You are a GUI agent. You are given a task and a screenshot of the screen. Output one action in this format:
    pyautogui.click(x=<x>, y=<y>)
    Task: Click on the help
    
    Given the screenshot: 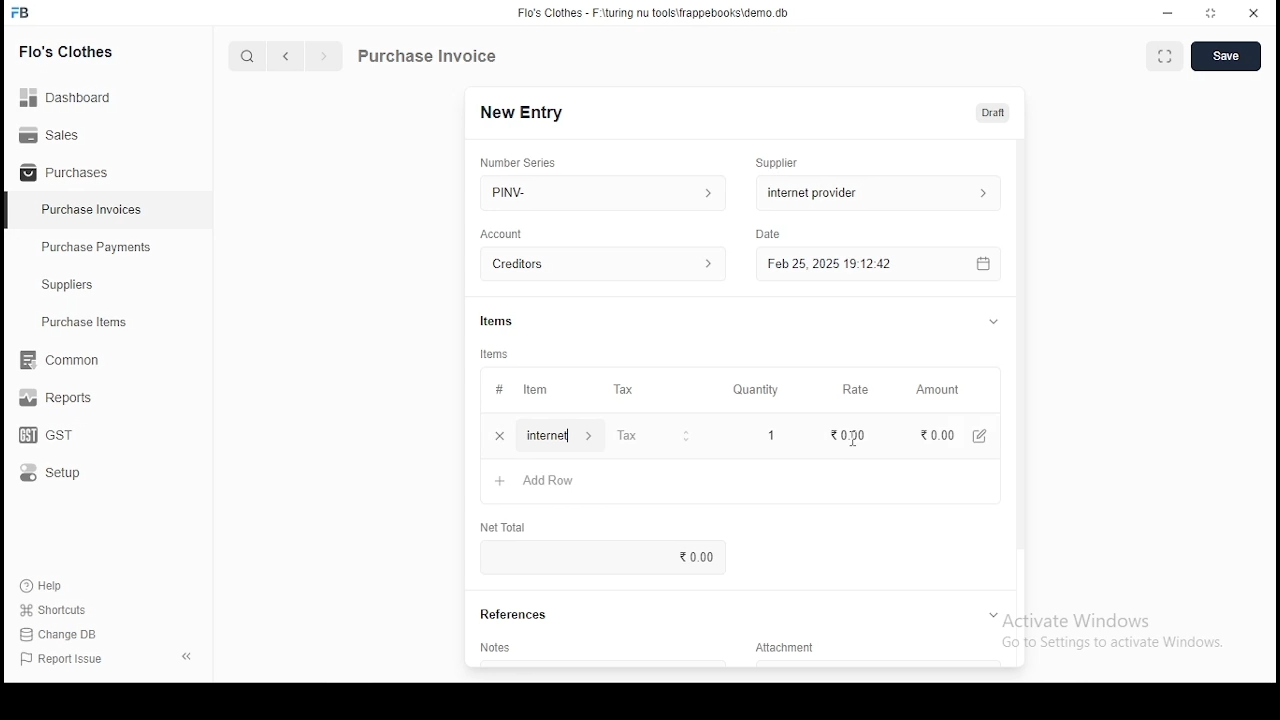 What is the action you would take?
    pyautogui.click(x=46, y=583)
    